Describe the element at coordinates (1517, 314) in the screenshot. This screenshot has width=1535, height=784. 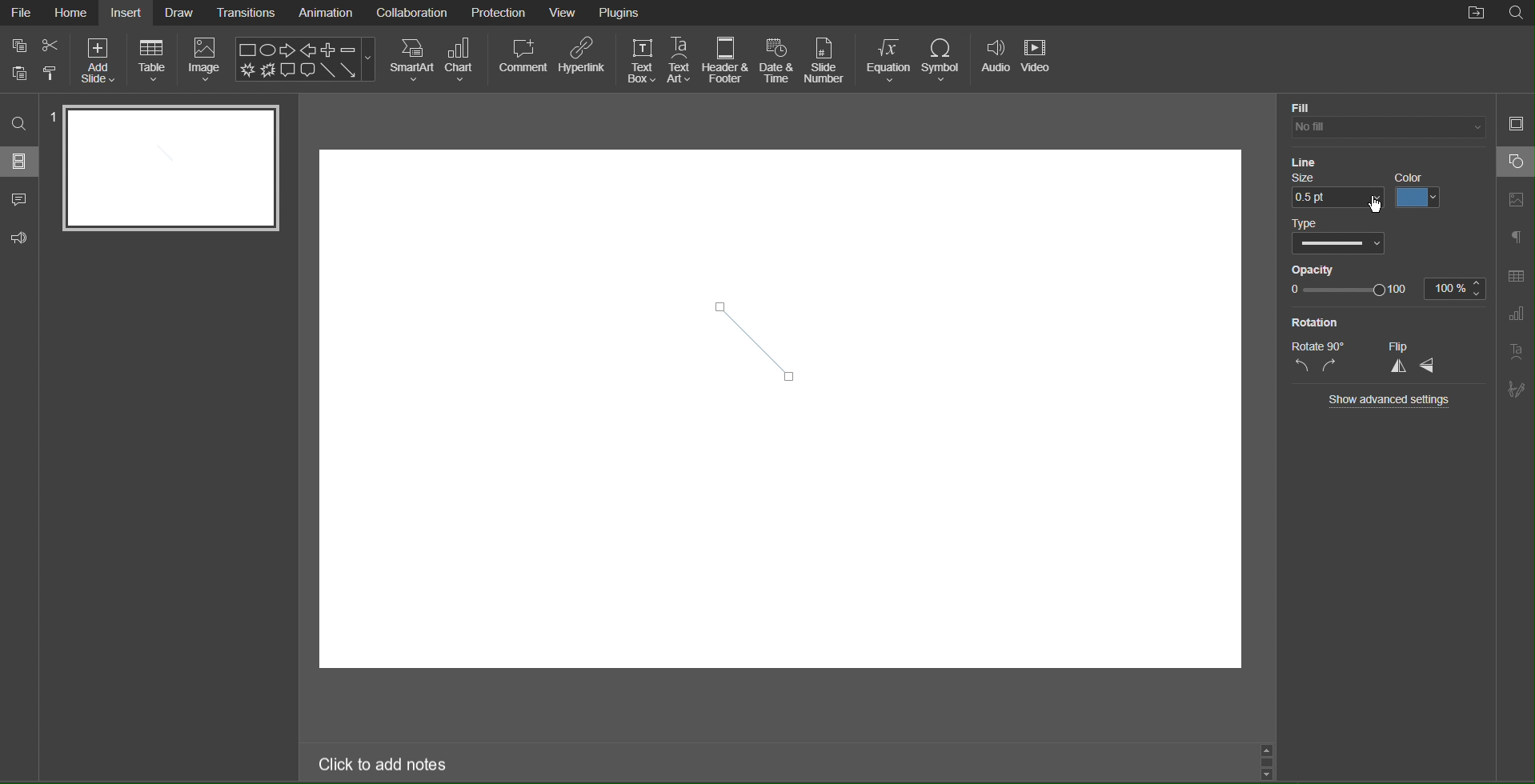
I see `Graph Settings` at that location.